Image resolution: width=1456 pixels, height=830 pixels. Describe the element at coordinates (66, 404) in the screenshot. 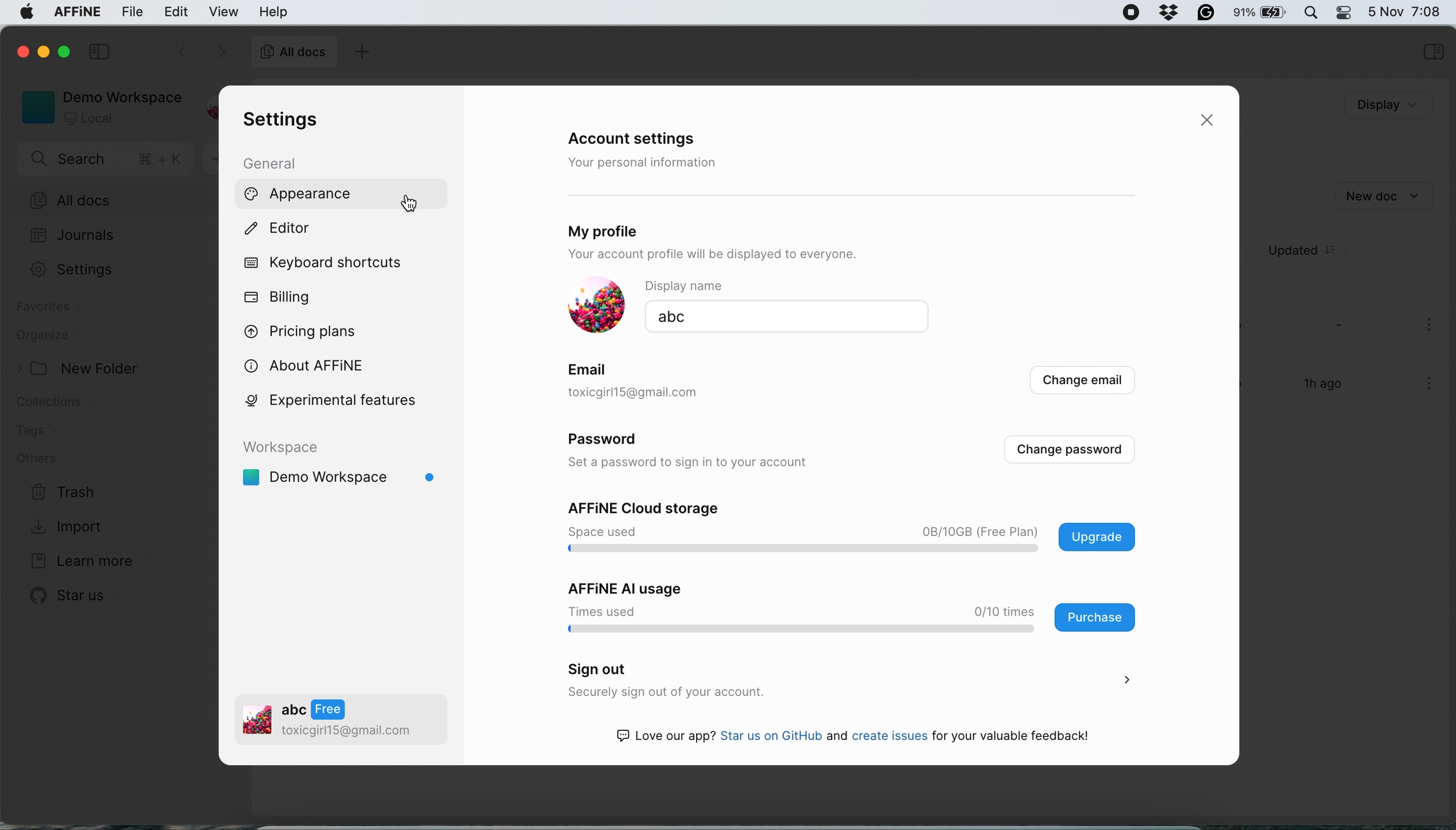

I see `collections` at that location.